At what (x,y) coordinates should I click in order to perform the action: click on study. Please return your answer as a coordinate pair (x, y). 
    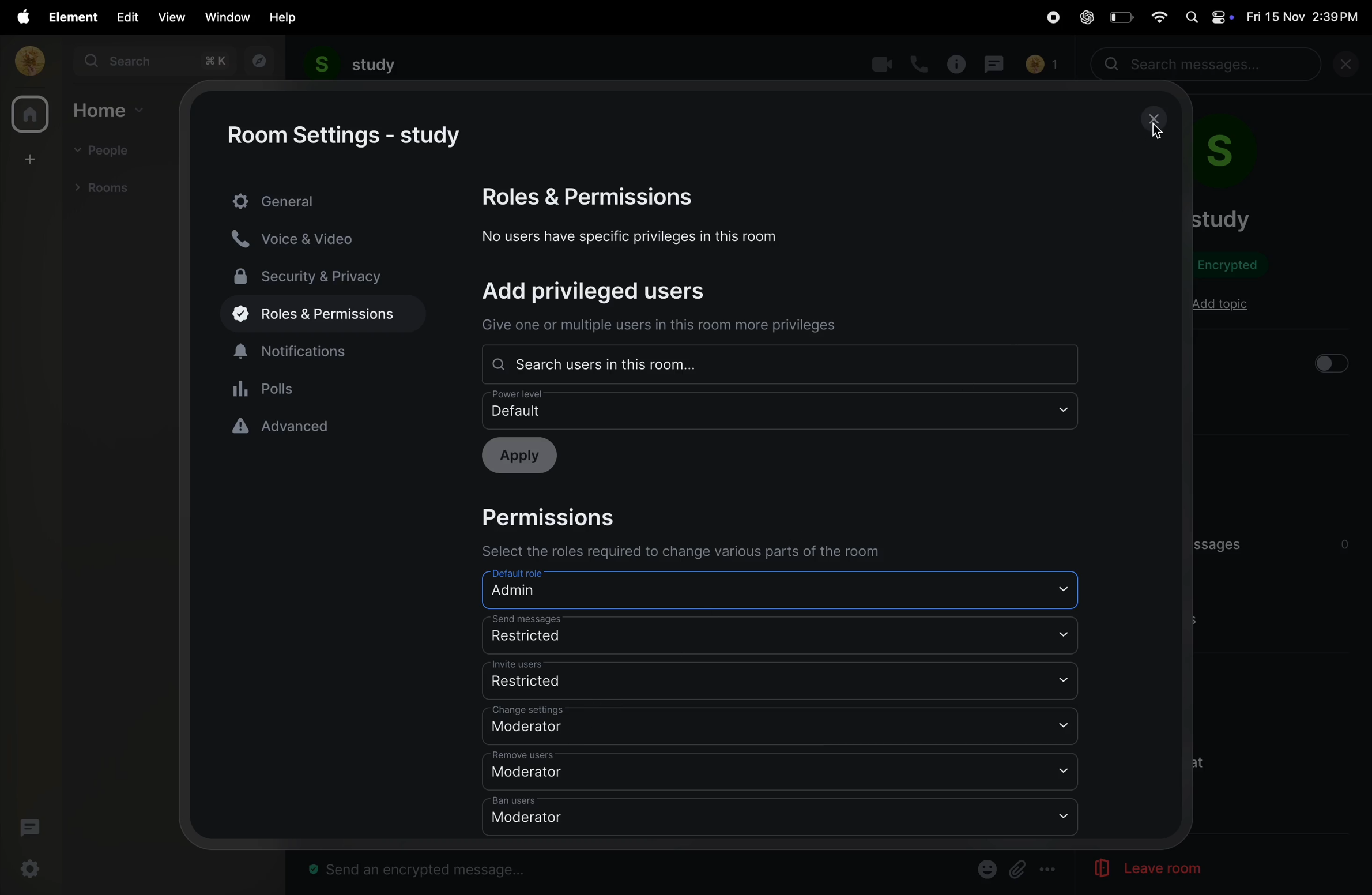
    Looking at the image, I should click on (352, 65).